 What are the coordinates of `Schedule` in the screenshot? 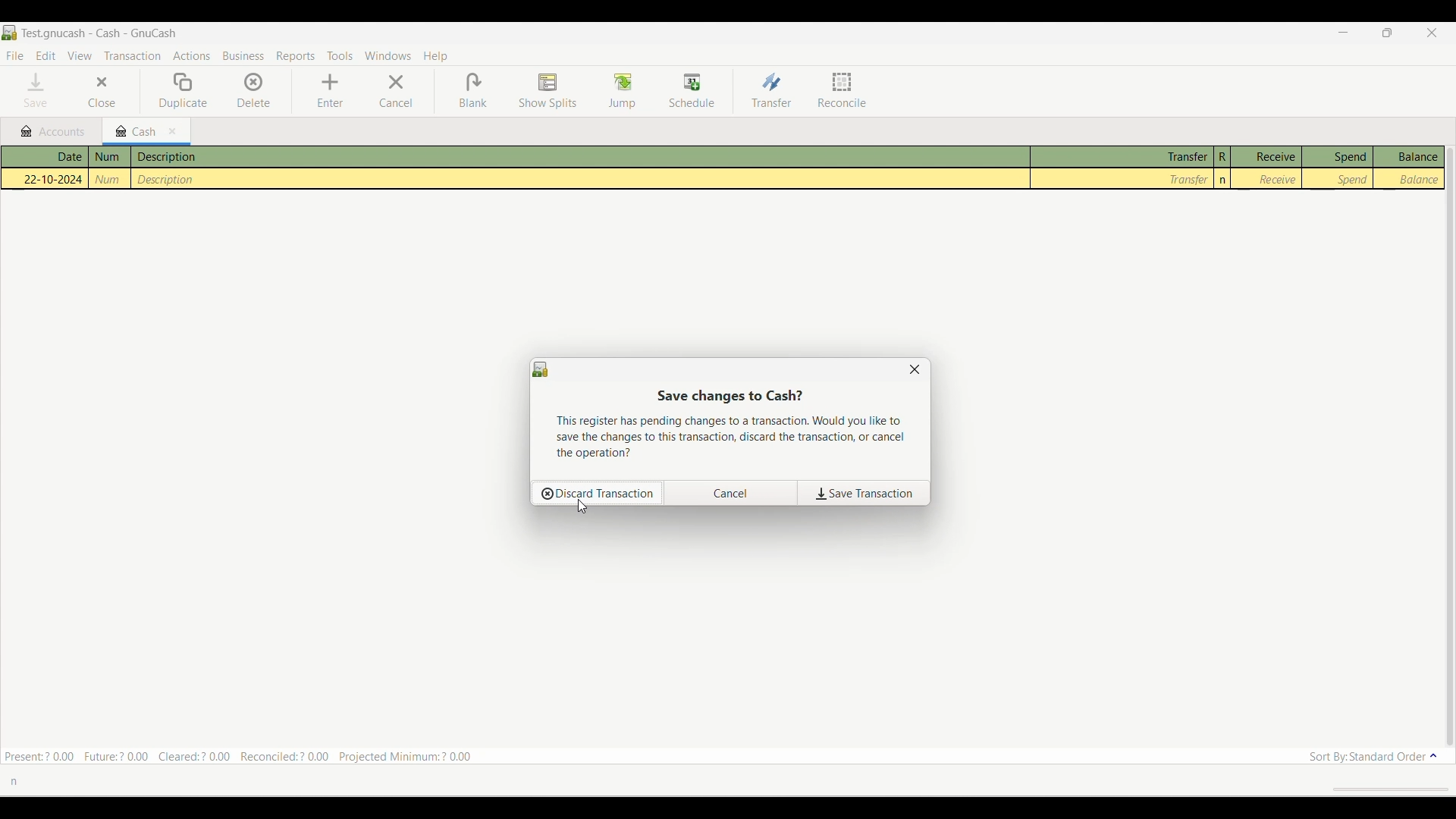 It's located at (692, 90).